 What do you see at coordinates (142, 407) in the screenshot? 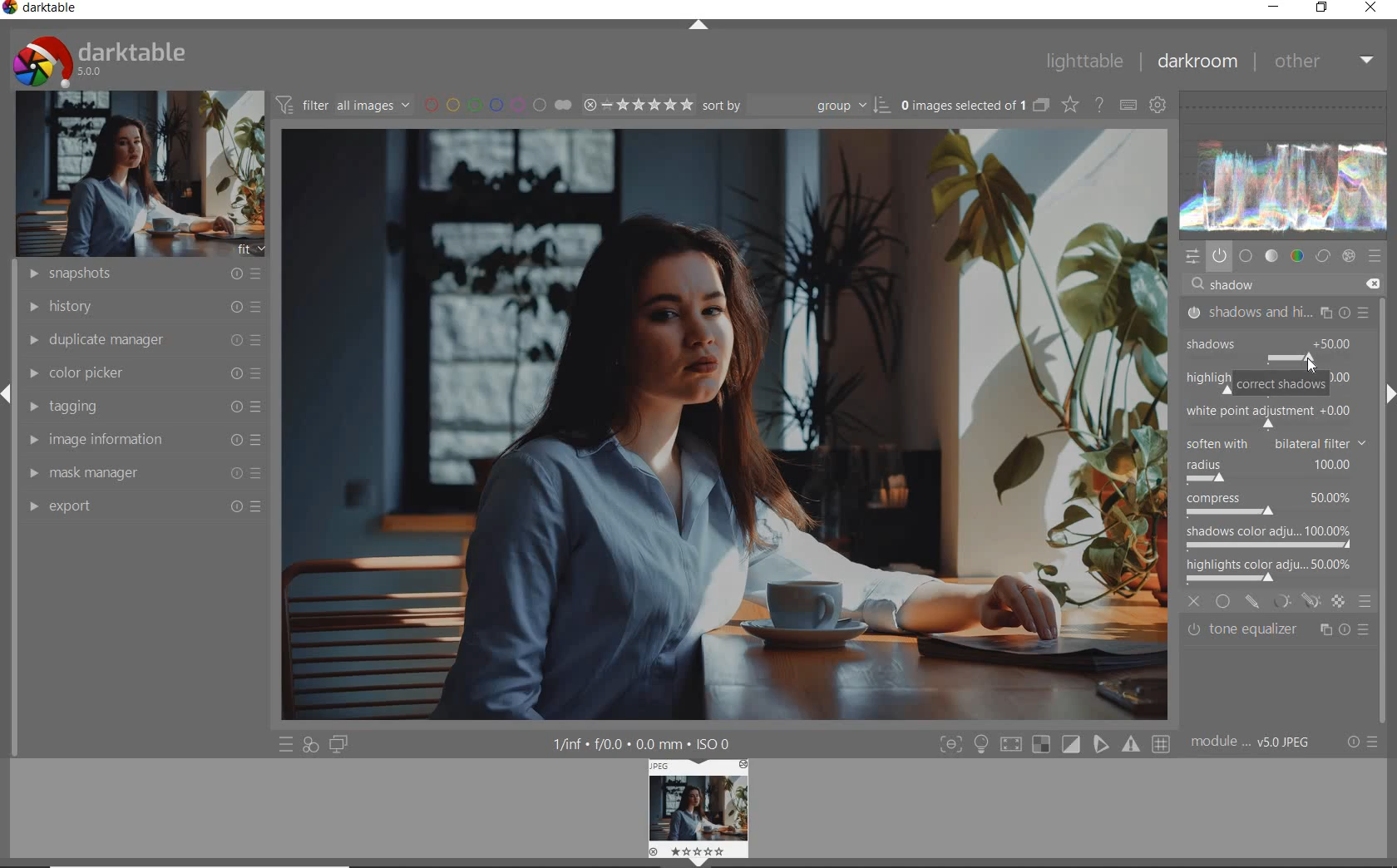
I see `tagging` at bounding box center [142, 407].